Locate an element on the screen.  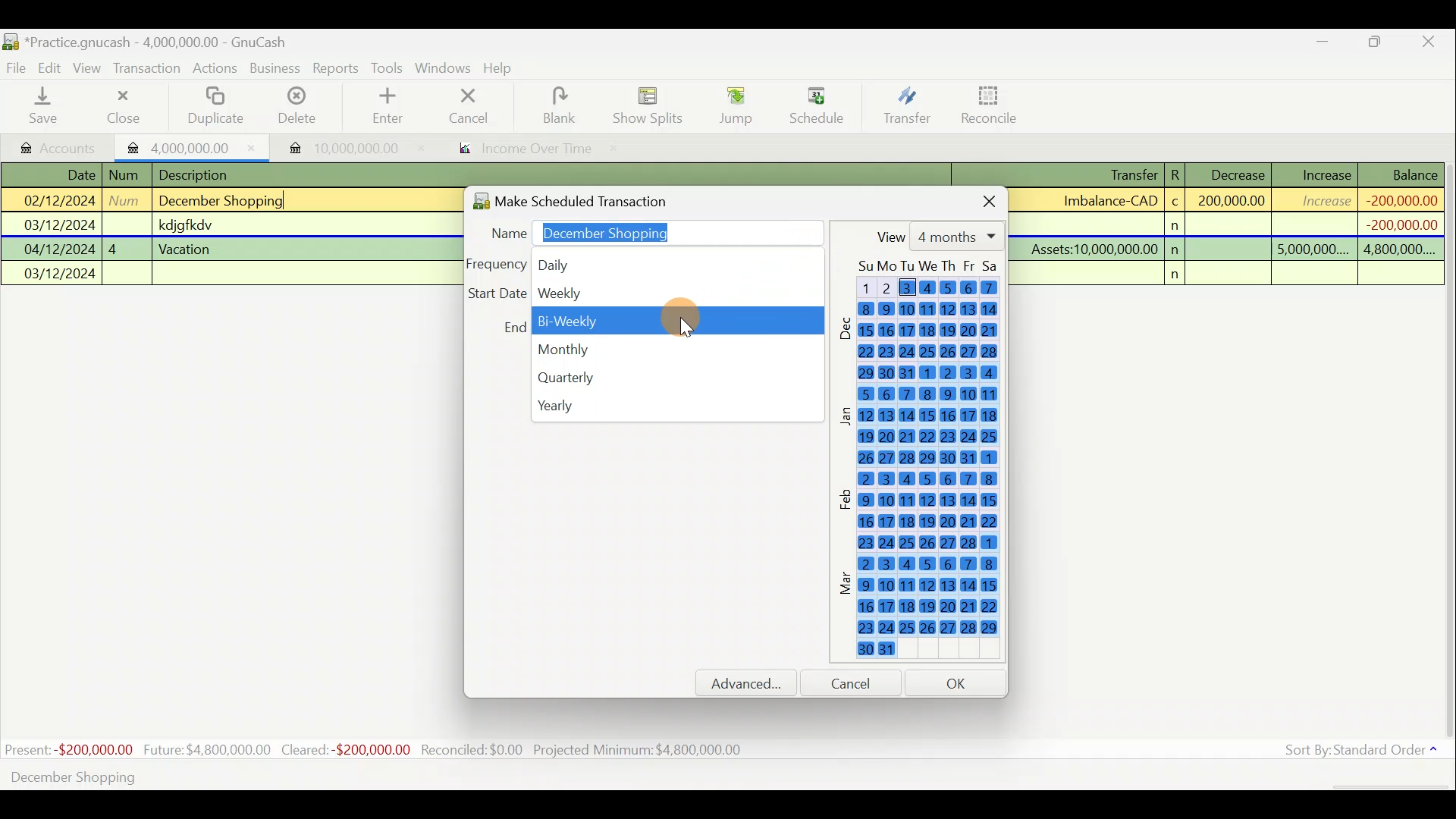
Monthly is located at coordinates (674, 347).